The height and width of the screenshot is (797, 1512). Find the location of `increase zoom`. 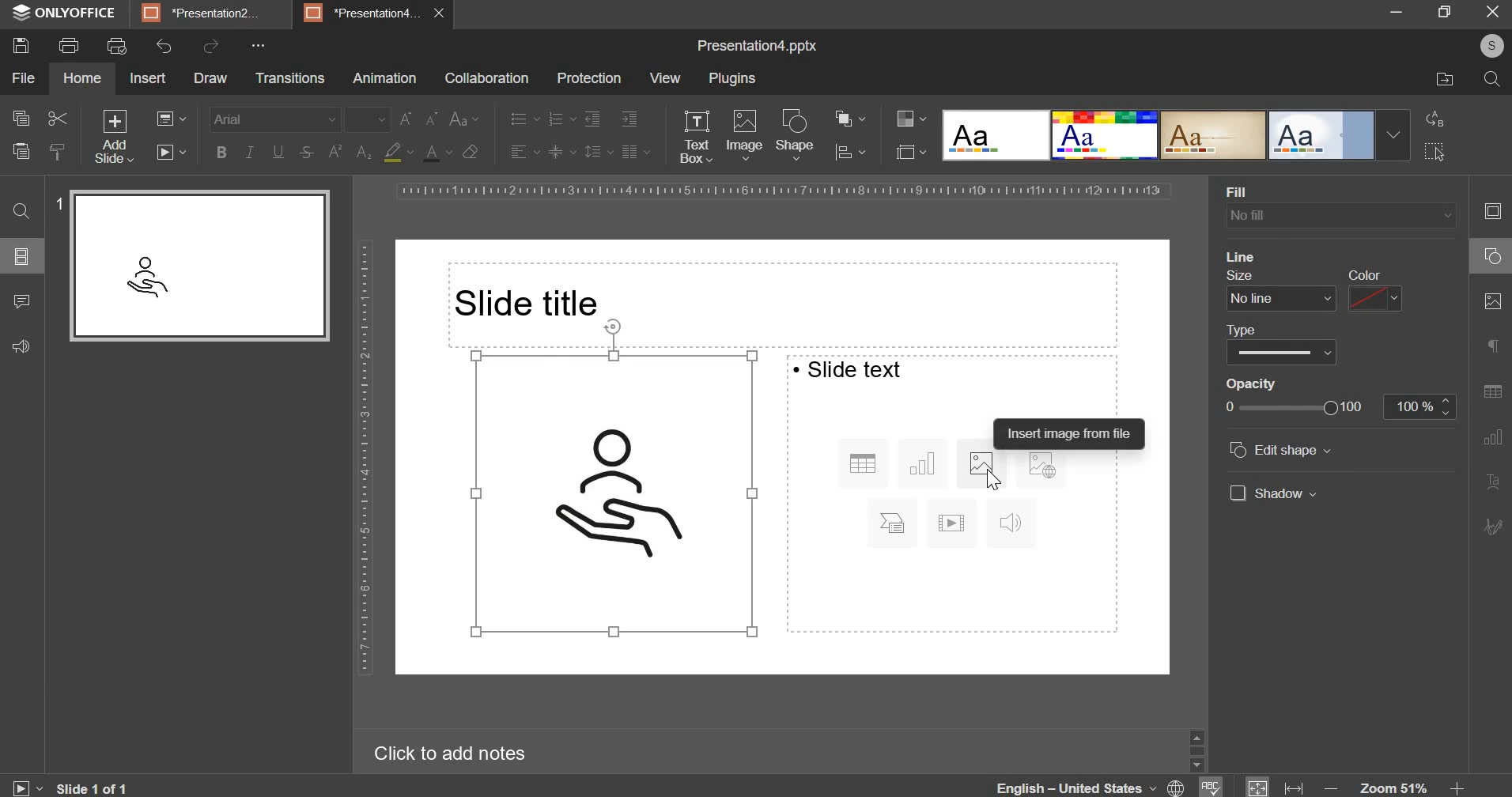

increase zoom is located at coordinates (1457, 788).